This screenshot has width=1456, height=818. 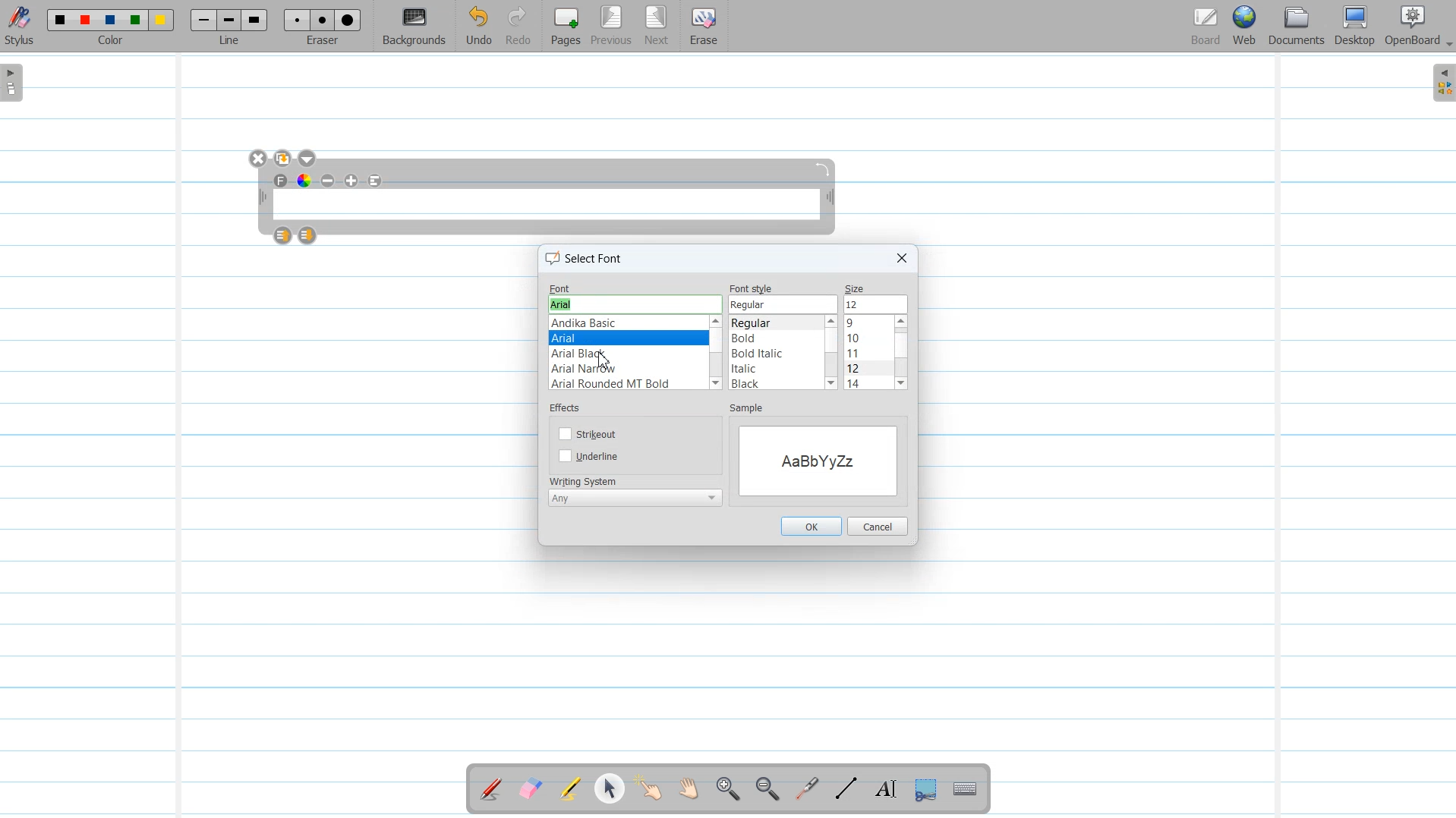 I want to click on Text Font , so click(x=282, y=181).